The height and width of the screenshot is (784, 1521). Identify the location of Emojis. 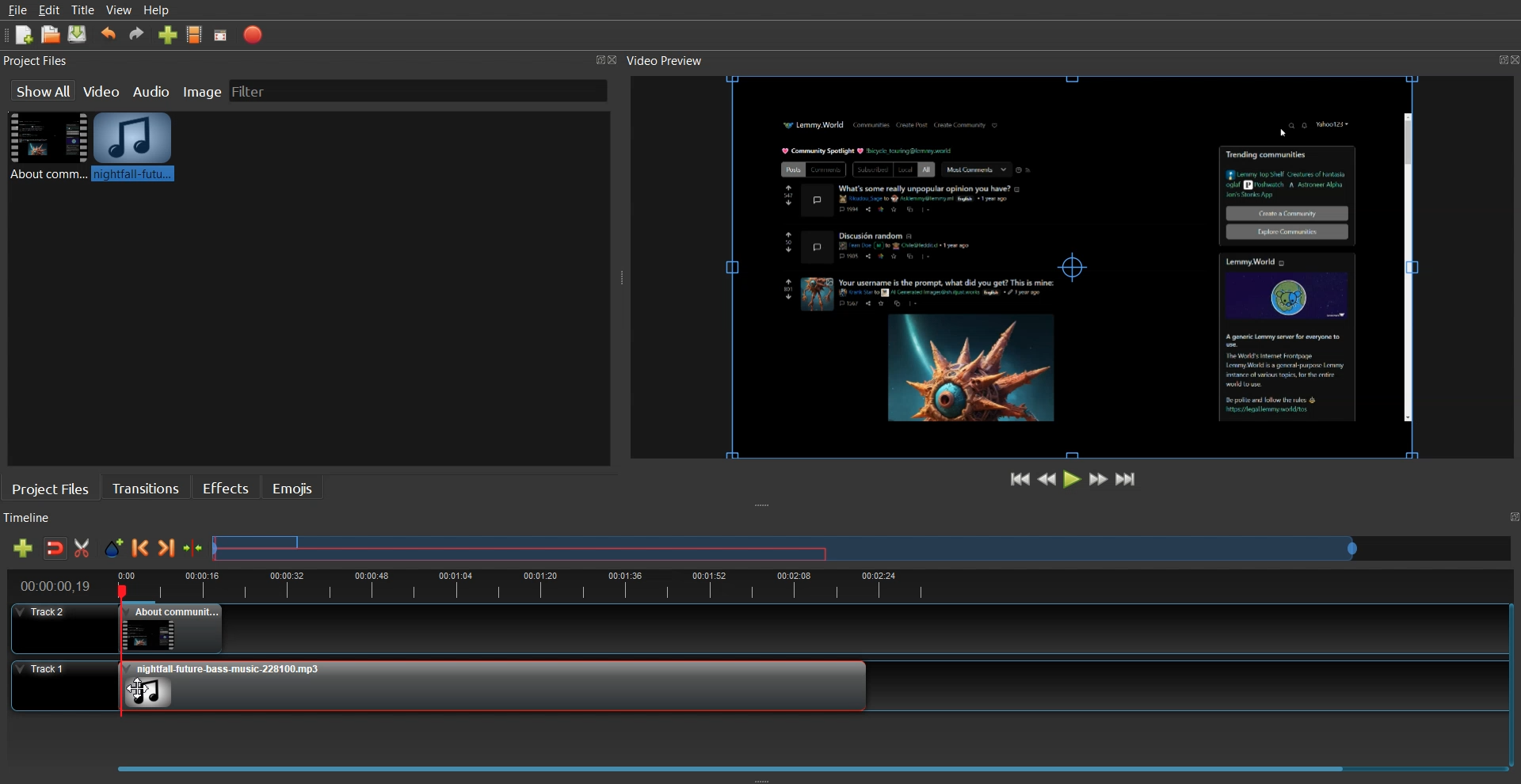
(294, 487).